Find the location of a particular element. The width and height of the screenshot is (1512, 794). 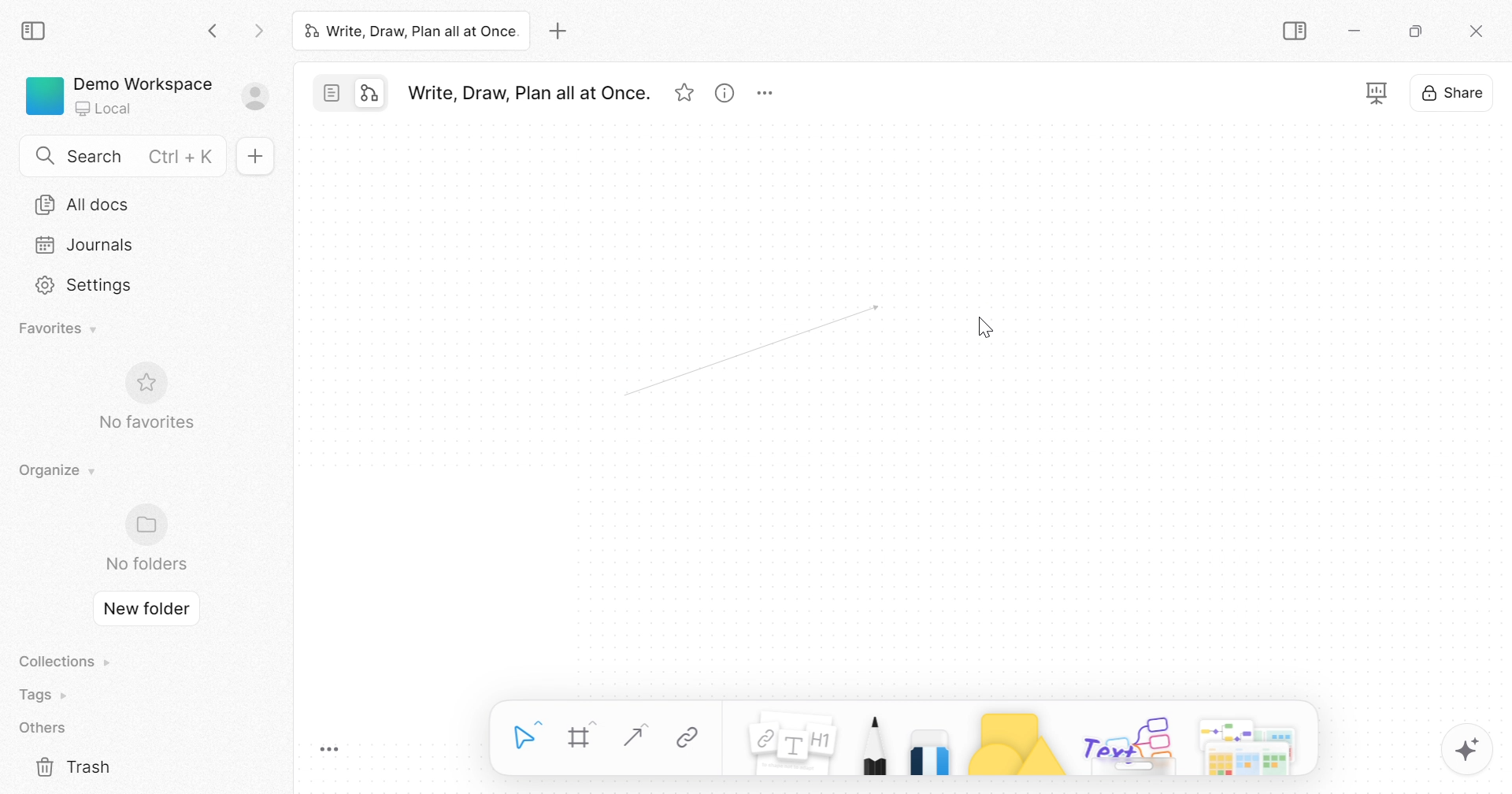

Collapse sidebar is located at coordinates (35, 31).